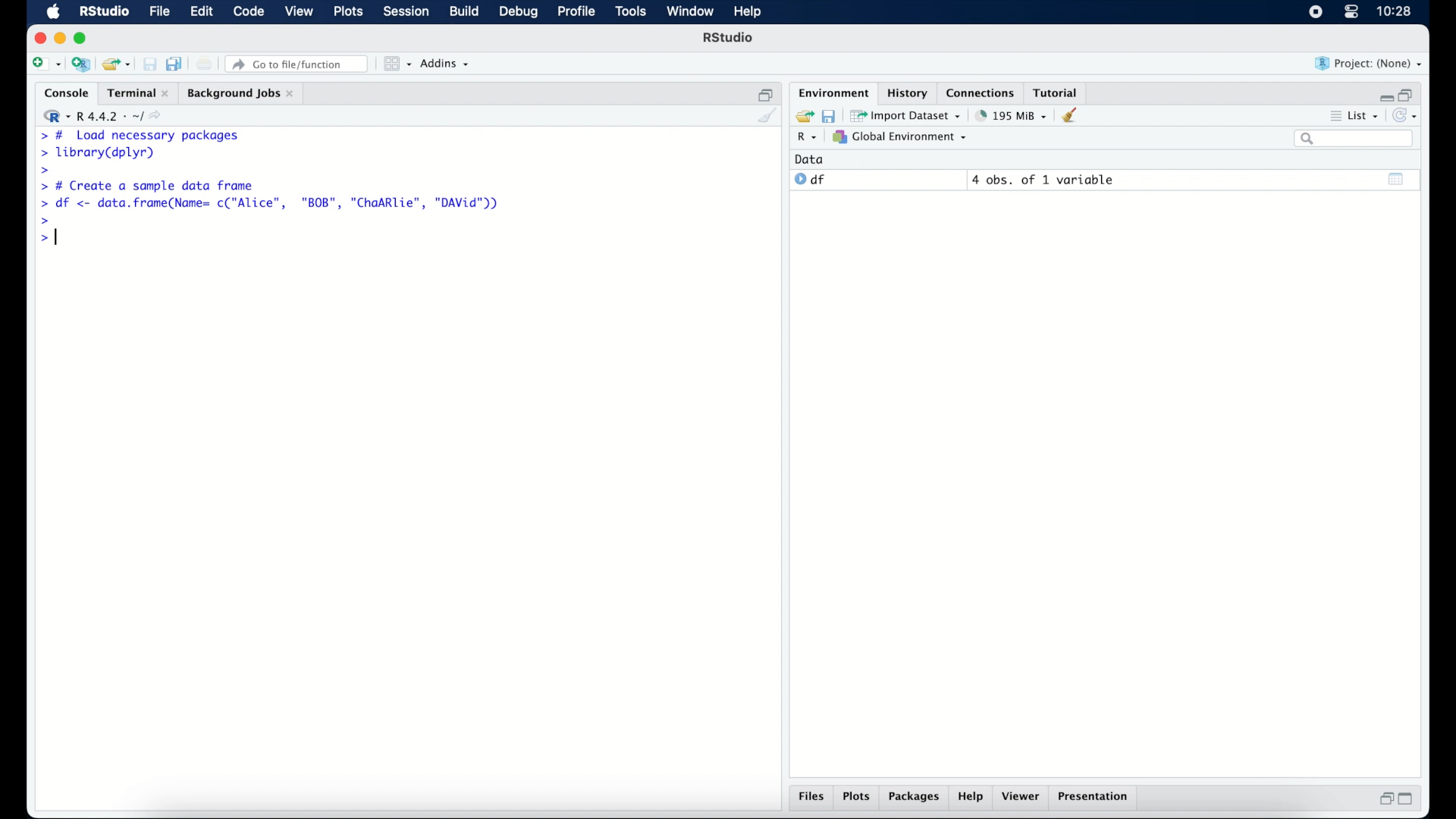  Describe the element at coordinates (1314, 12) in the screenshot. I see `screen recorder icon` at that location.